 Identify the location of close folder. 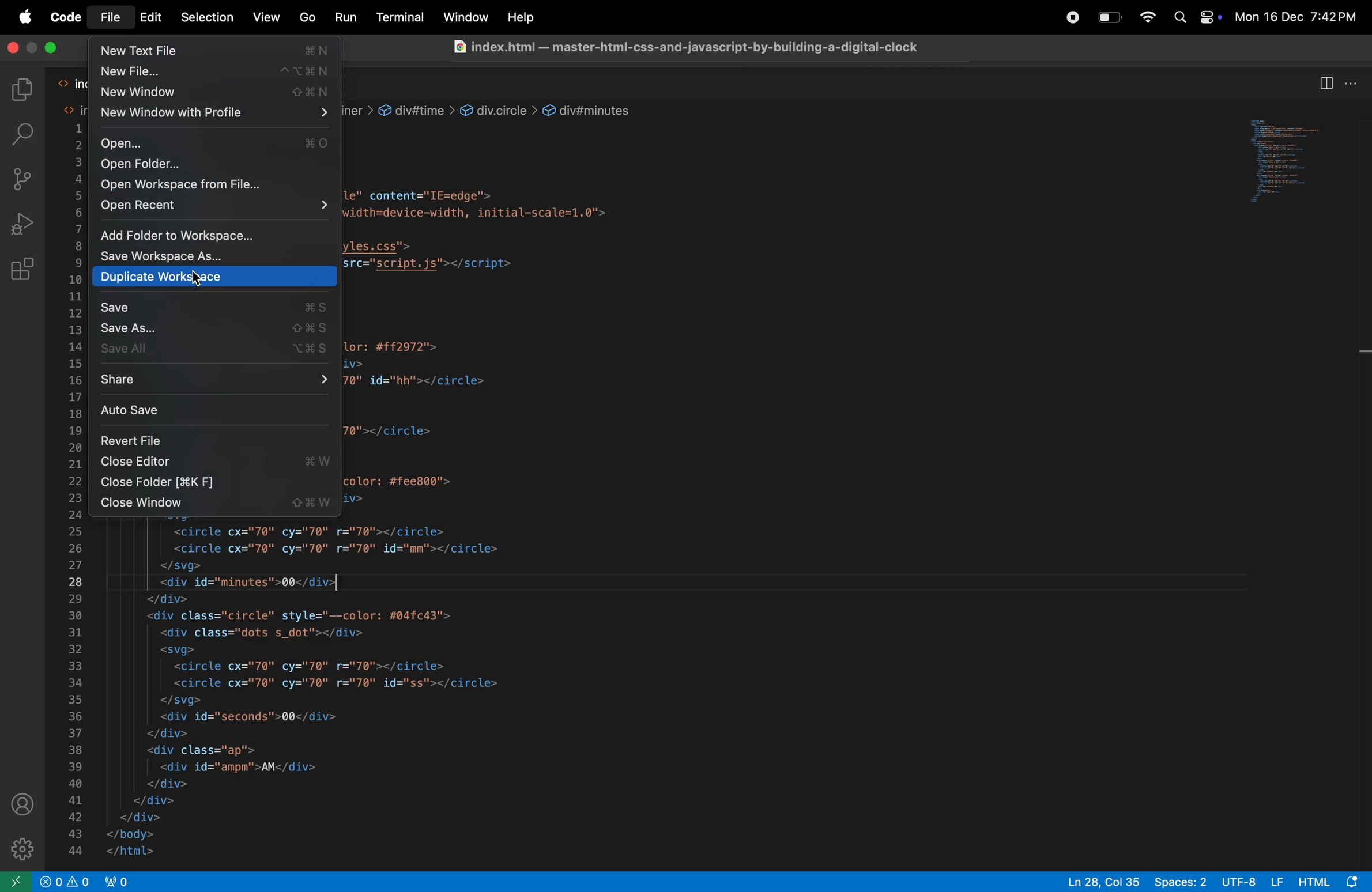
(217, 482).